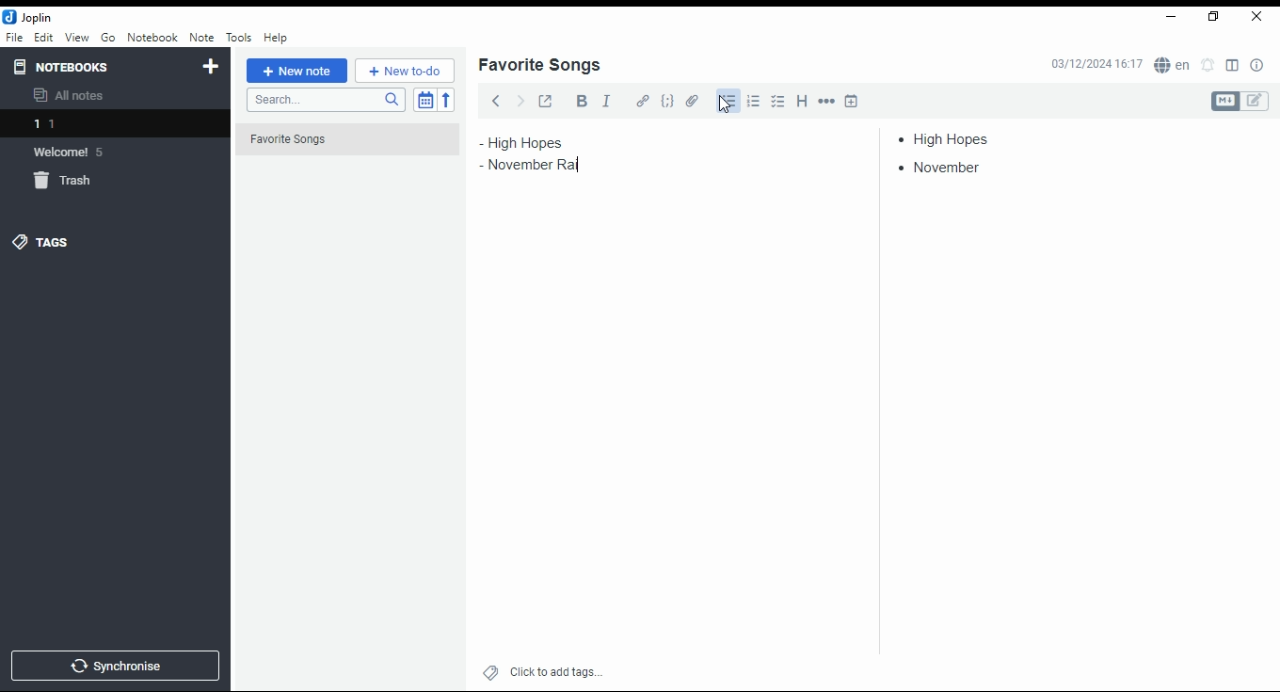  What do you see at coordinates (1240, 101) in the screenshot?
I see `toggle editors` at bounding box center [1240, 101].